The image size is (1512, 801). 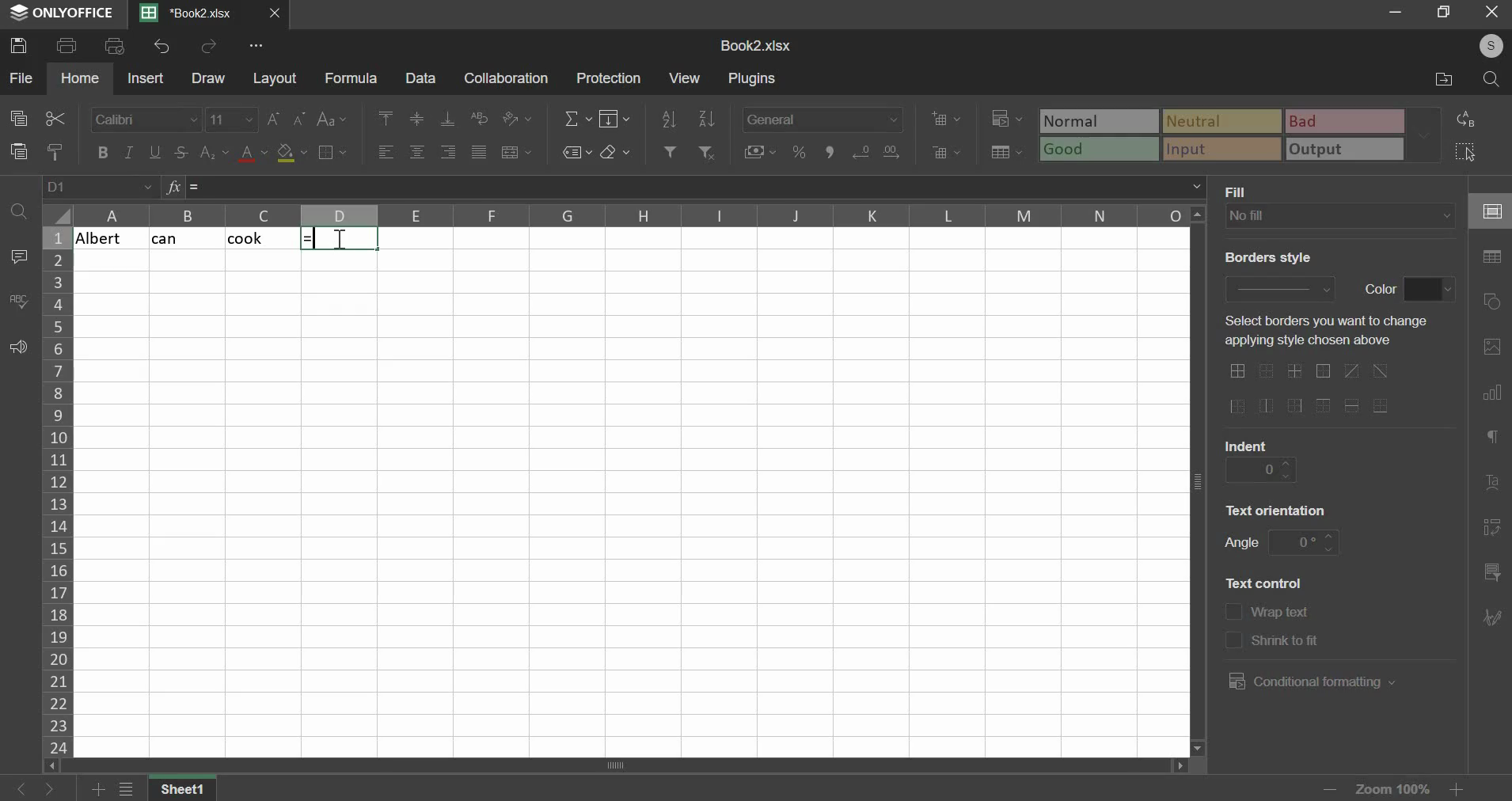 What do you see at coordinates (517, 152) in the screenshot?
I see `merge & center` at bounding box center [517, 152].